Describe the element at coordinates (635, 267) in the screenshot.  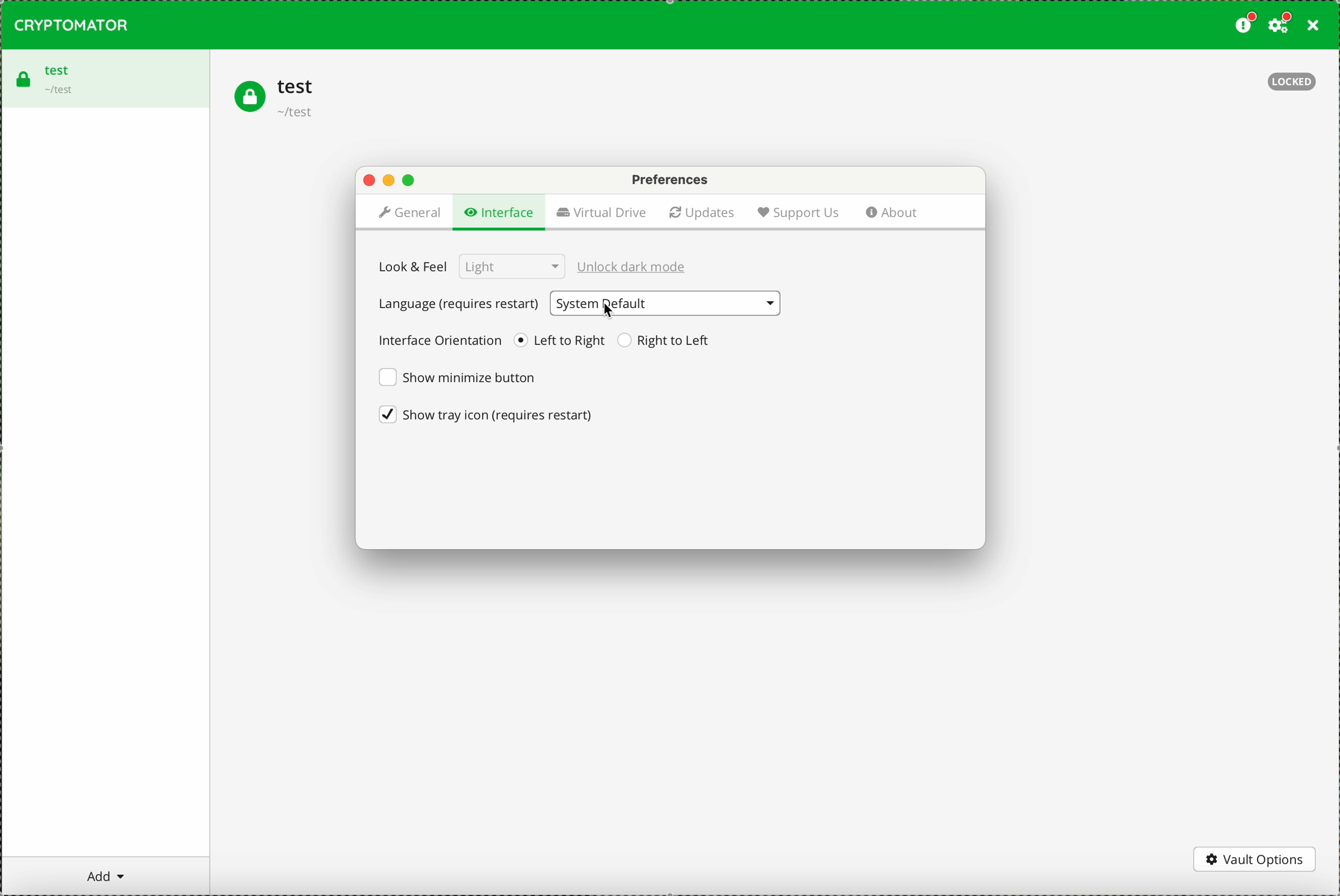
I see `unlock dark mode` at that location.